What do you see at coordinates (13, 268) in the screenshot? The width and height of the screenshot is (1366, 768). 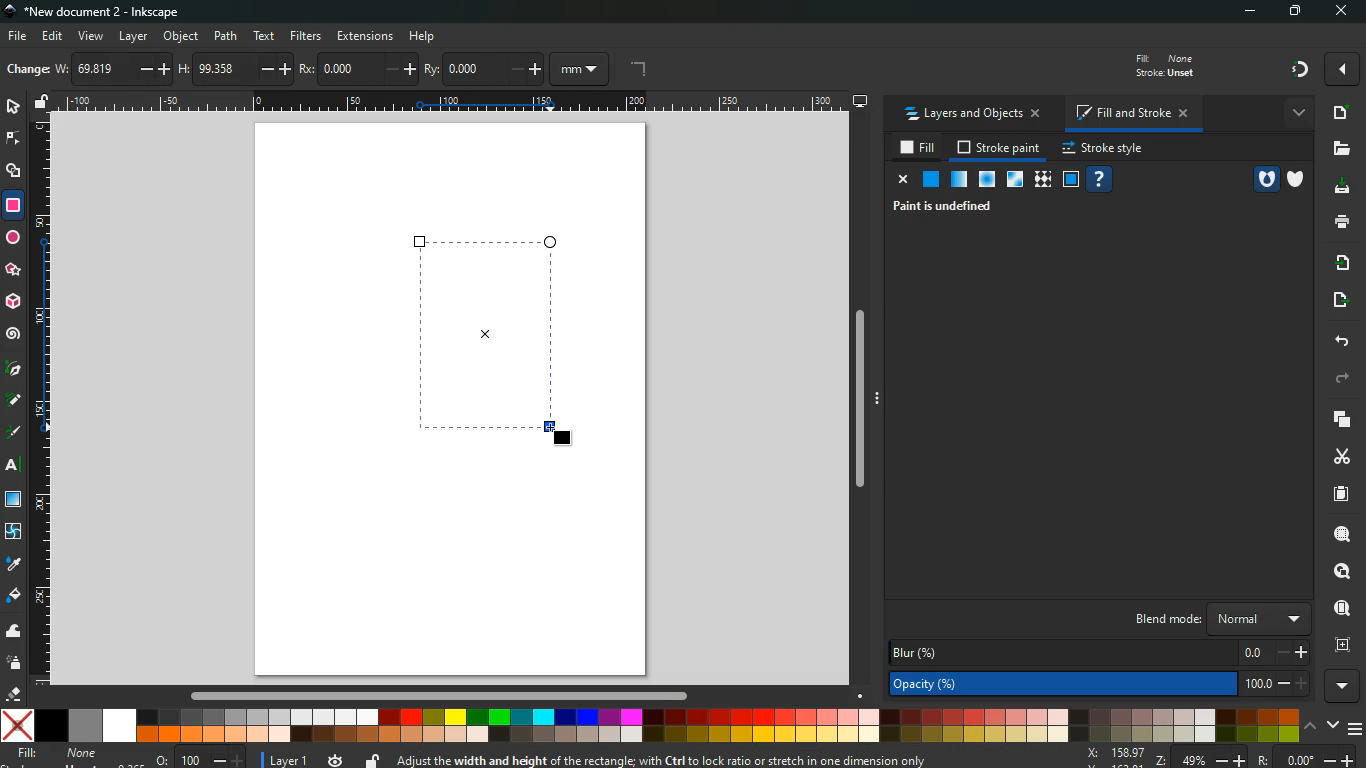 I see `star polygon` at bounding box center [13, 268].